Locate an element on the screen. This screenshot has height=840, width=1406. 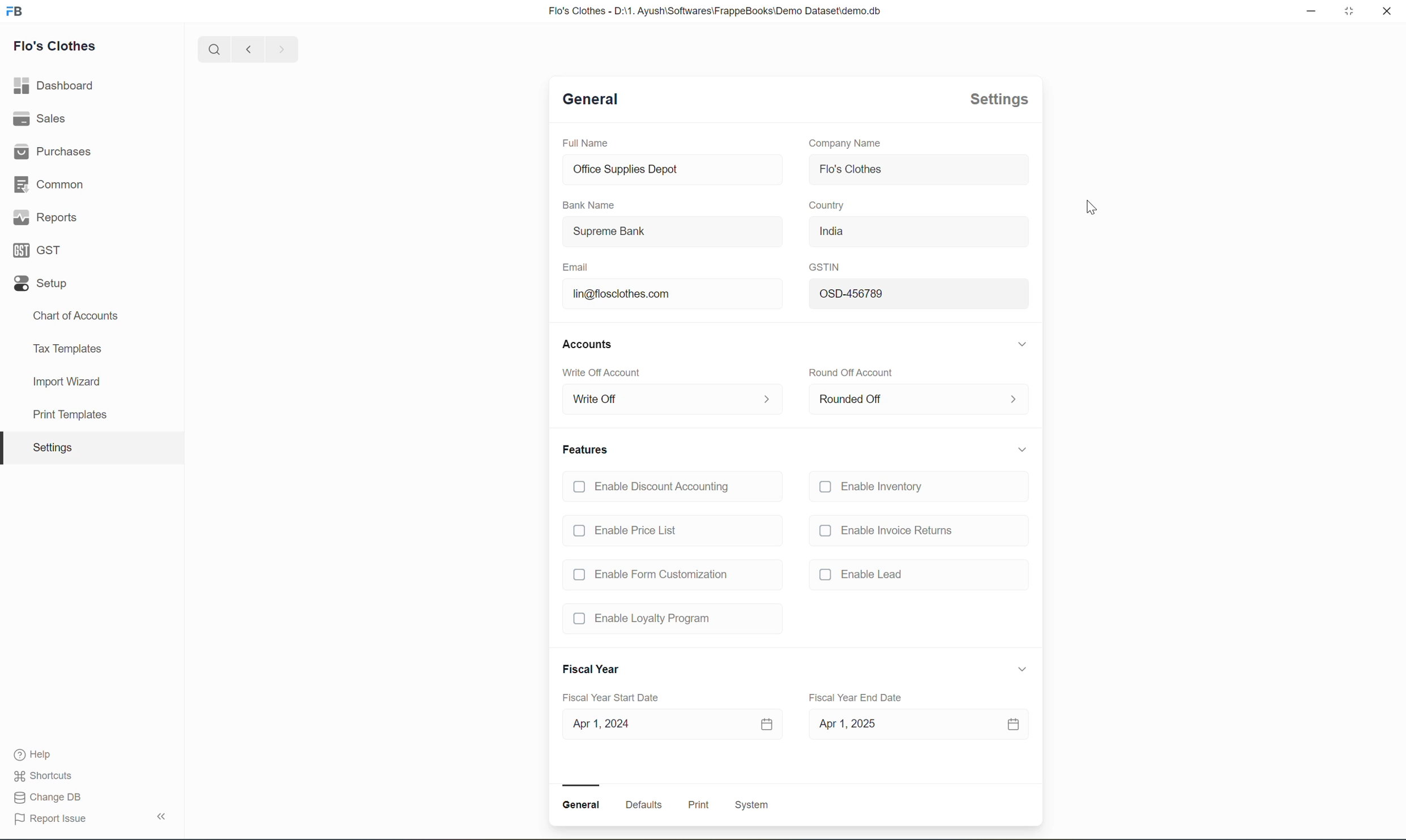
Fiscal Year End Date is located at coordinates (855, 698).